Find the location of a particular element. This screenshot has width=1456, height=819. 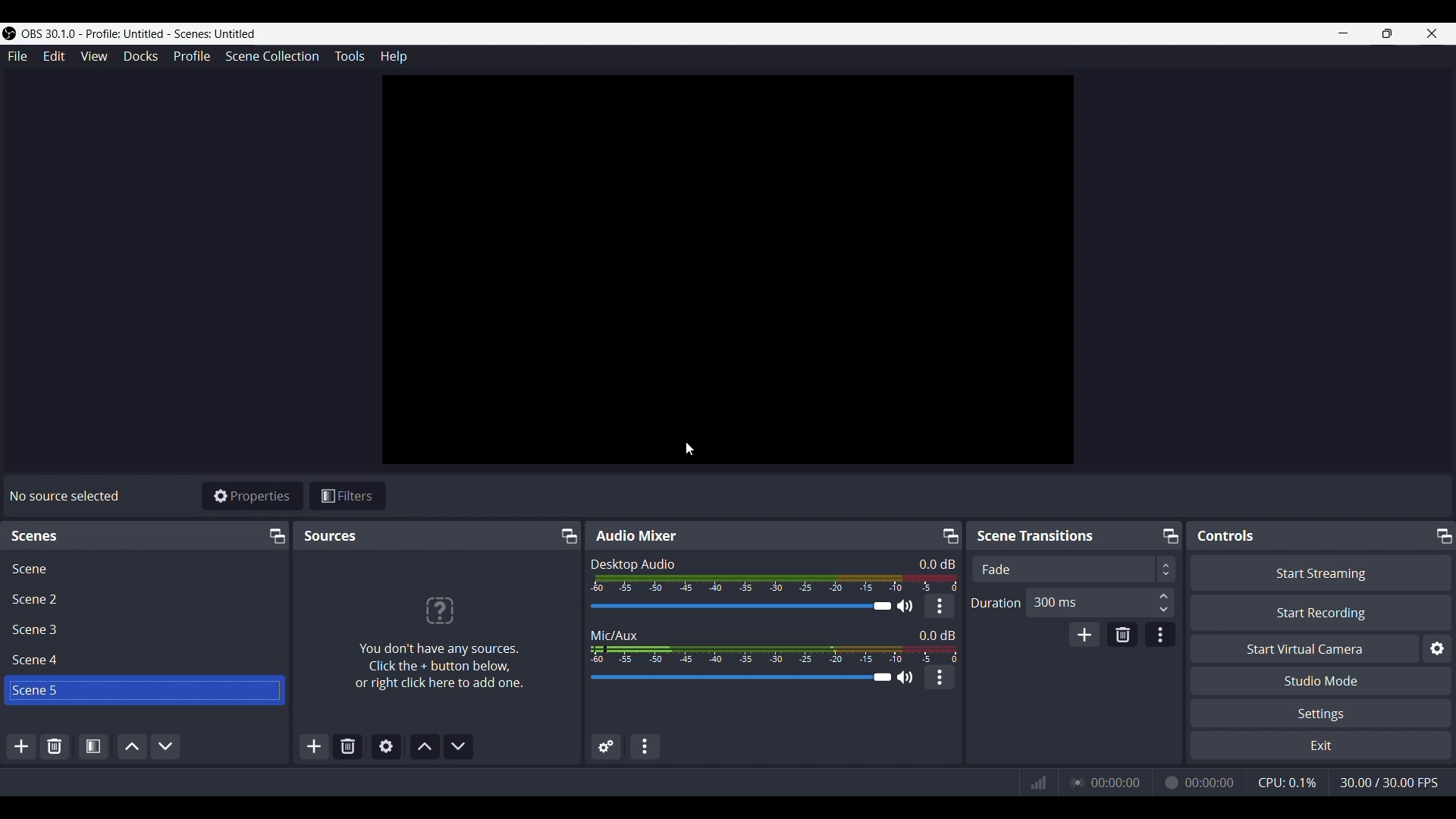

Minimize is located at coordinates (570, 535).